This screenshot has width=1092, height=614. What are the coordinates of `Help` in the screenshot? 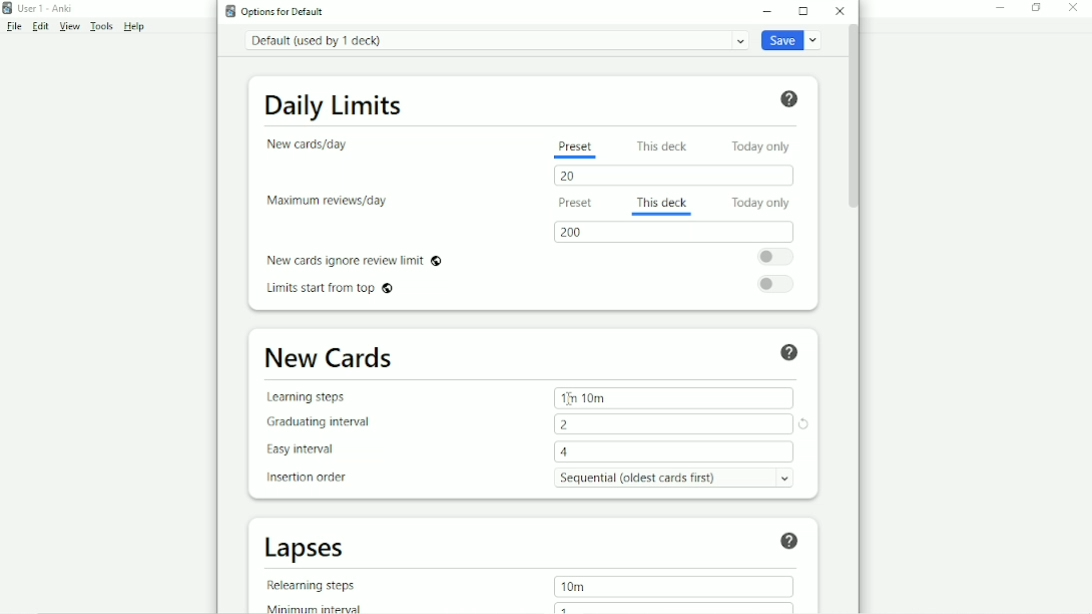 It's located at (790, 540).